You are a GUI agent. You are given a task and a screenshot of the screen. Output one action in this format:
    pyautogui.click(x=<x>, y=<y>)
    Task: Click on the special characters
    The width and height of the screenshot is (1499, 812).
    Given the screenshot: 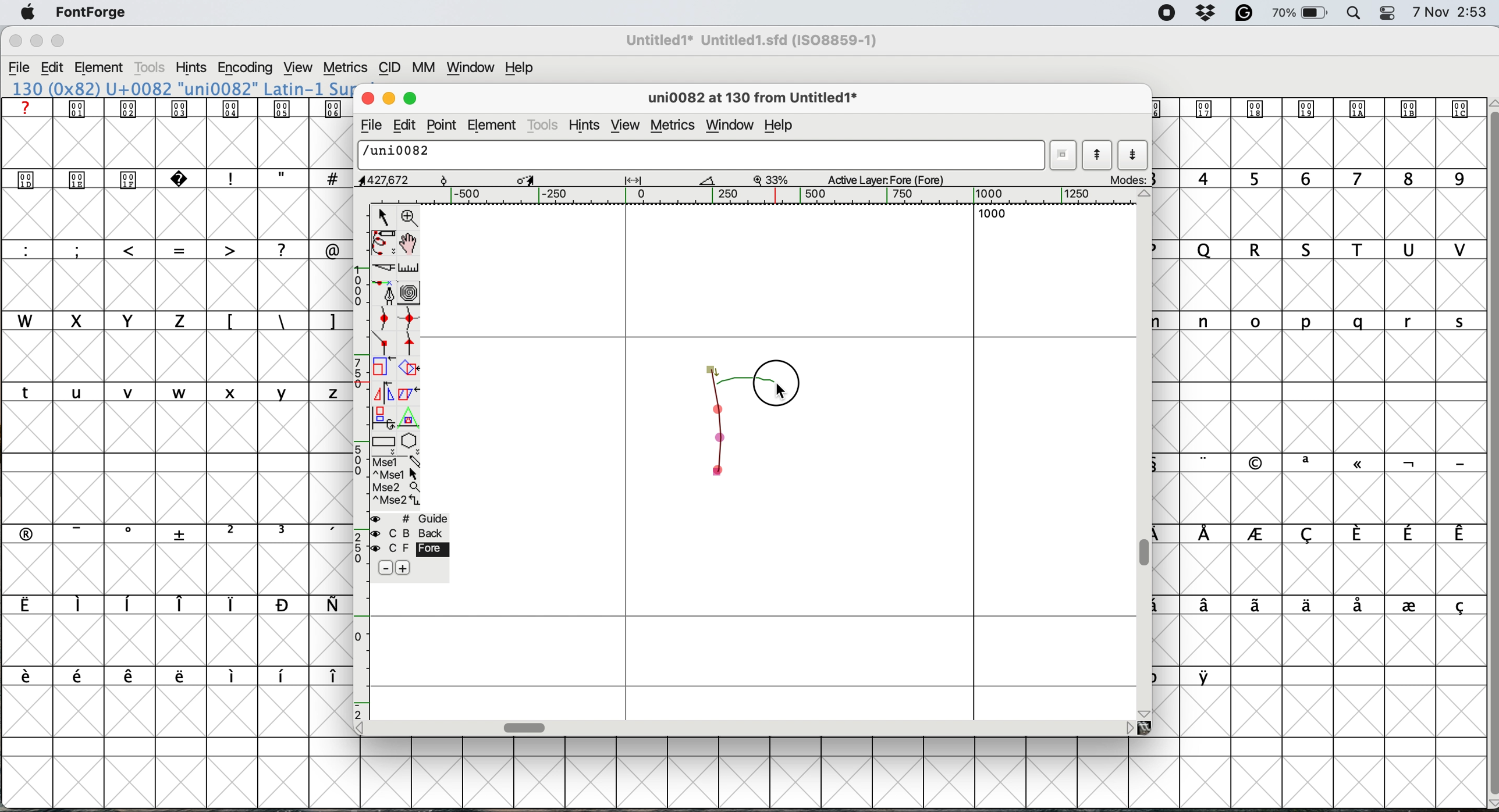 What is the action you would take?
    pyautogui.click(x=278, y=320)
    